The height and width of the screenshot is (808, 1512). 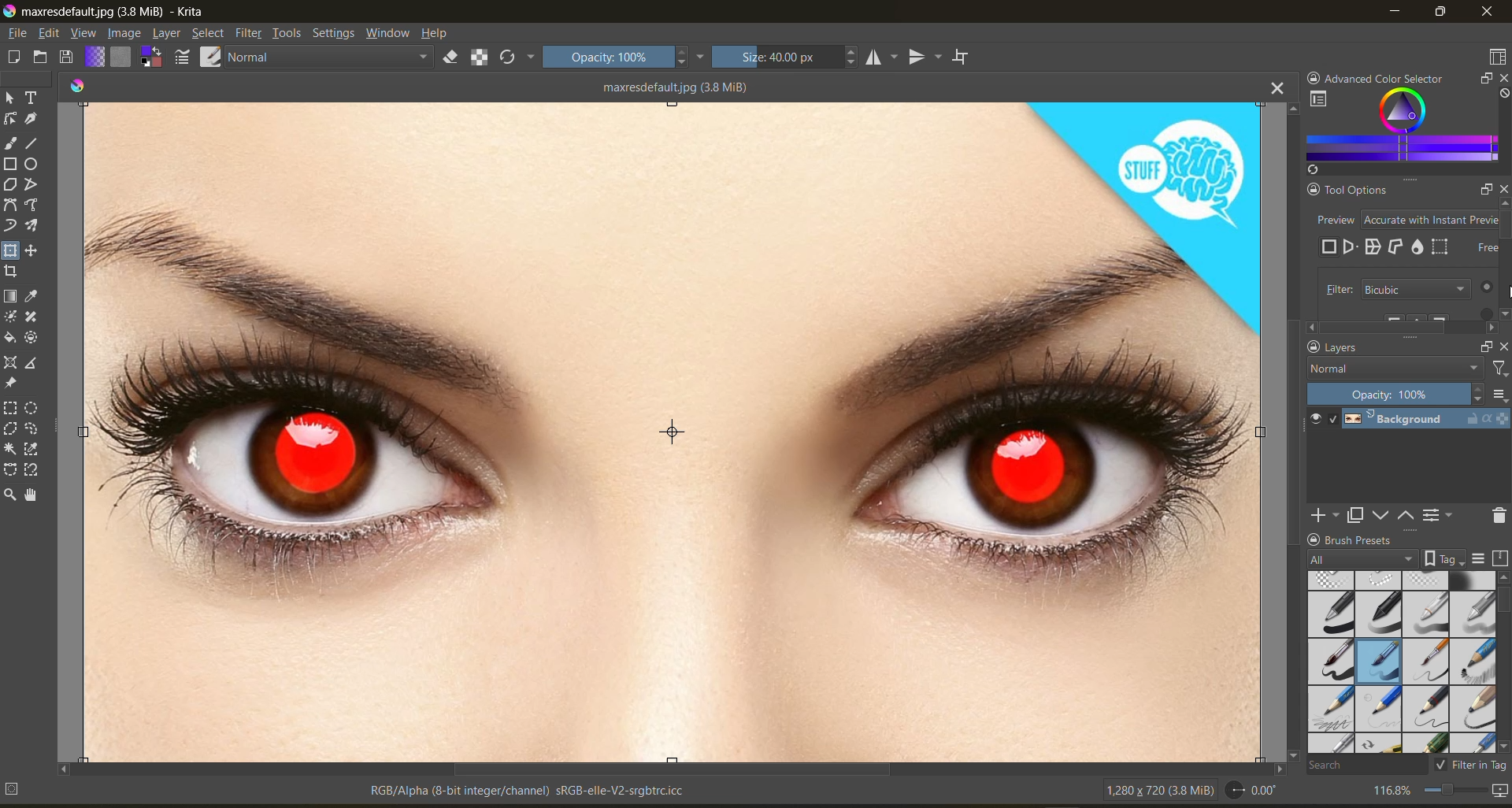 I want to click on layer, so click(x=169, y=34).